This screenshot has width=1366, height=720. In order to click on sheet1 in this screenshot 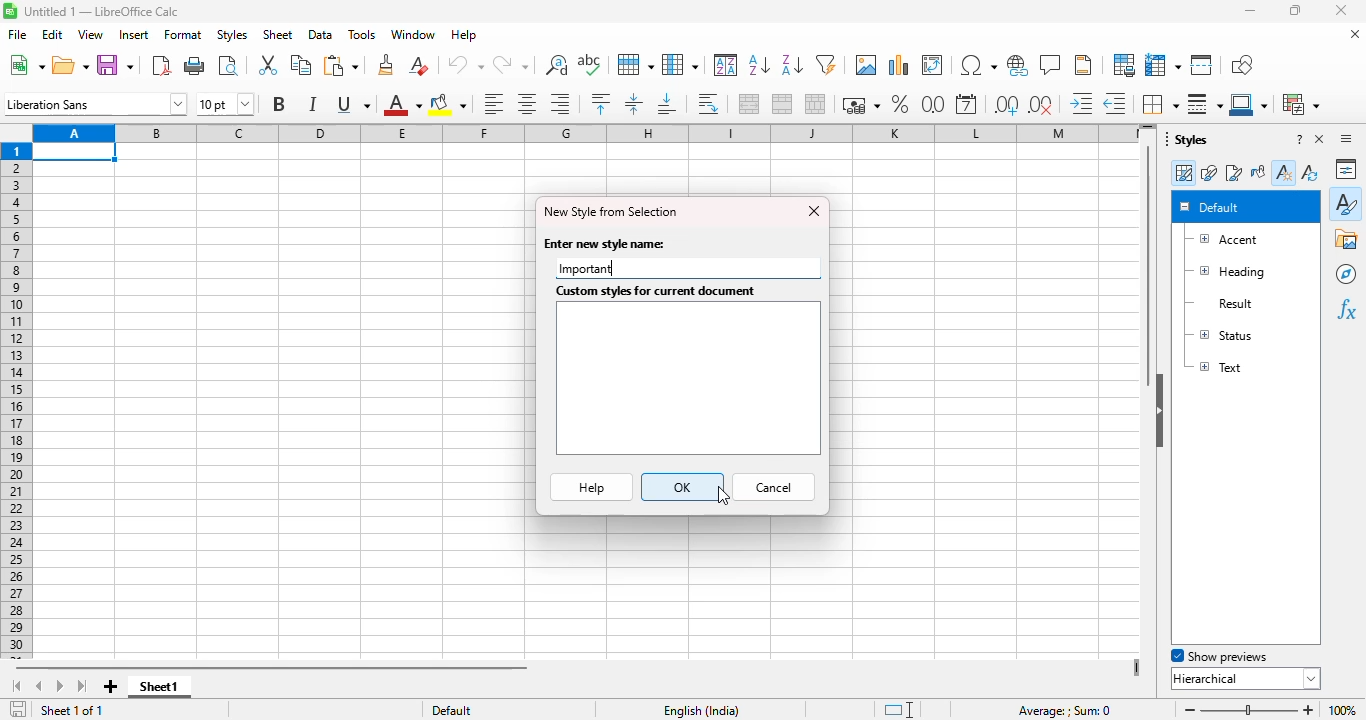, I will do `click(159, 687)`.